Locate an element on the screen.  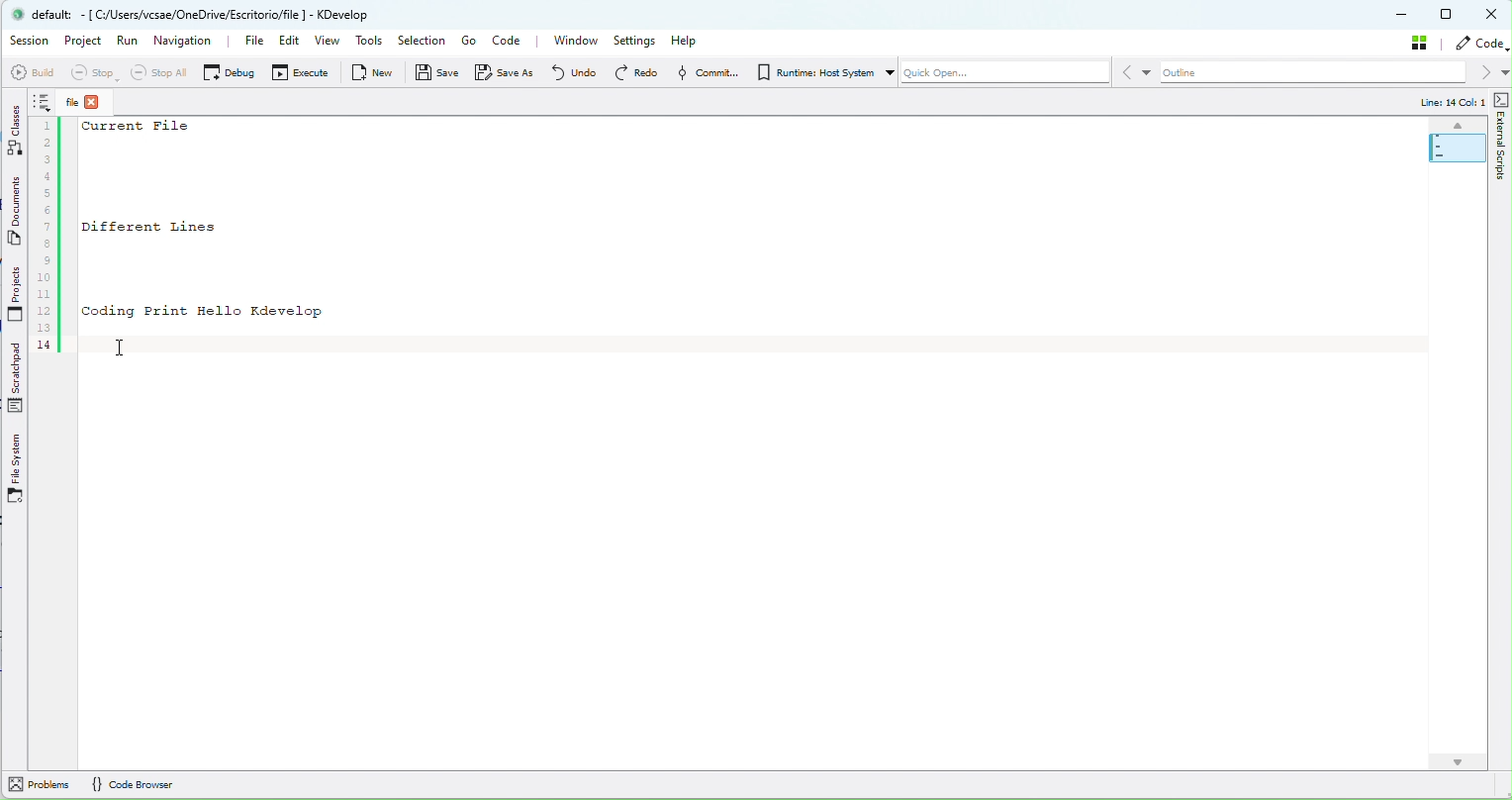
Current File is located at coordinates (141, 128).